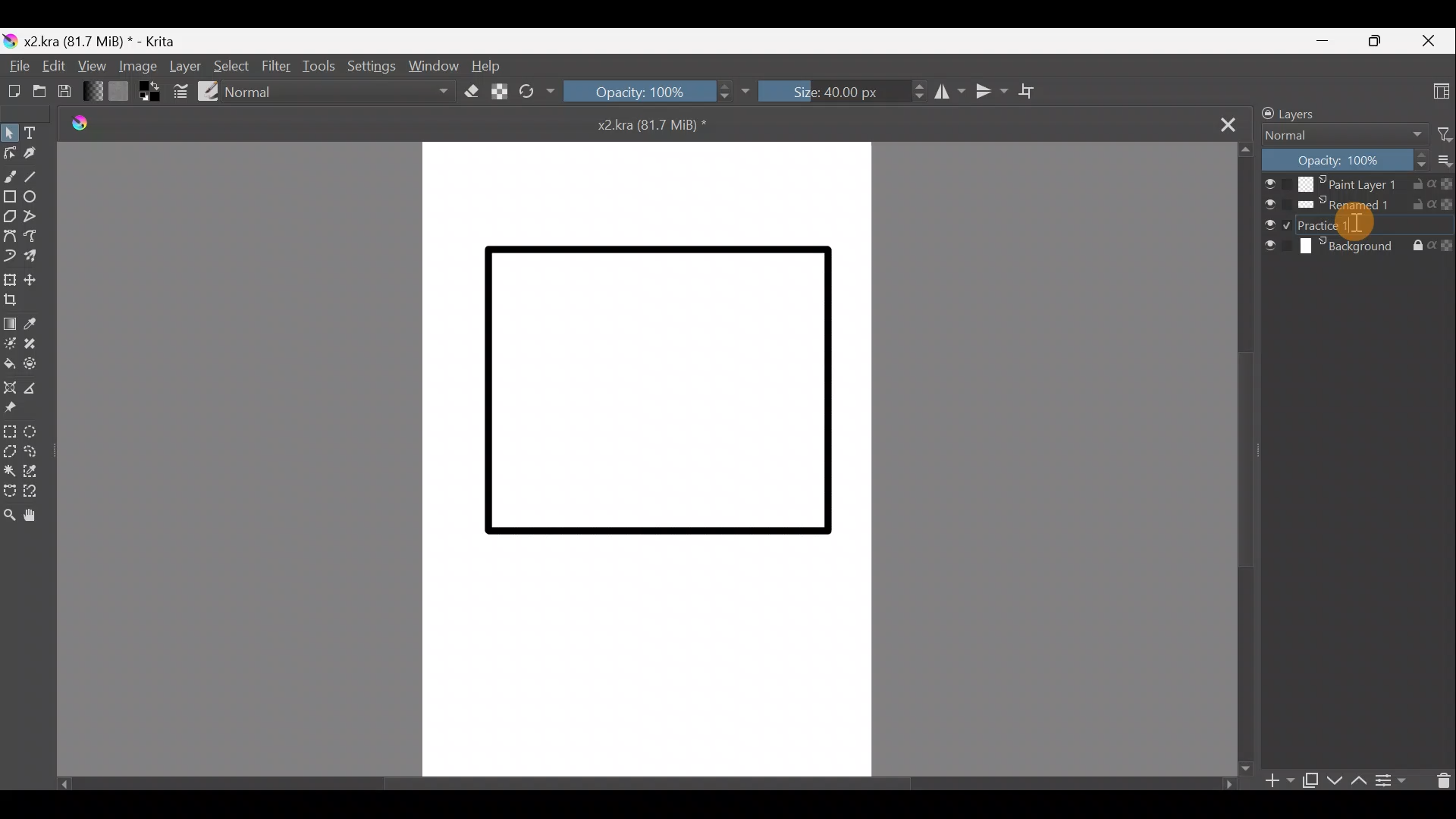 This screenshot has width=1456, height=819. I want to click on Maximize, so click(1374, 40).